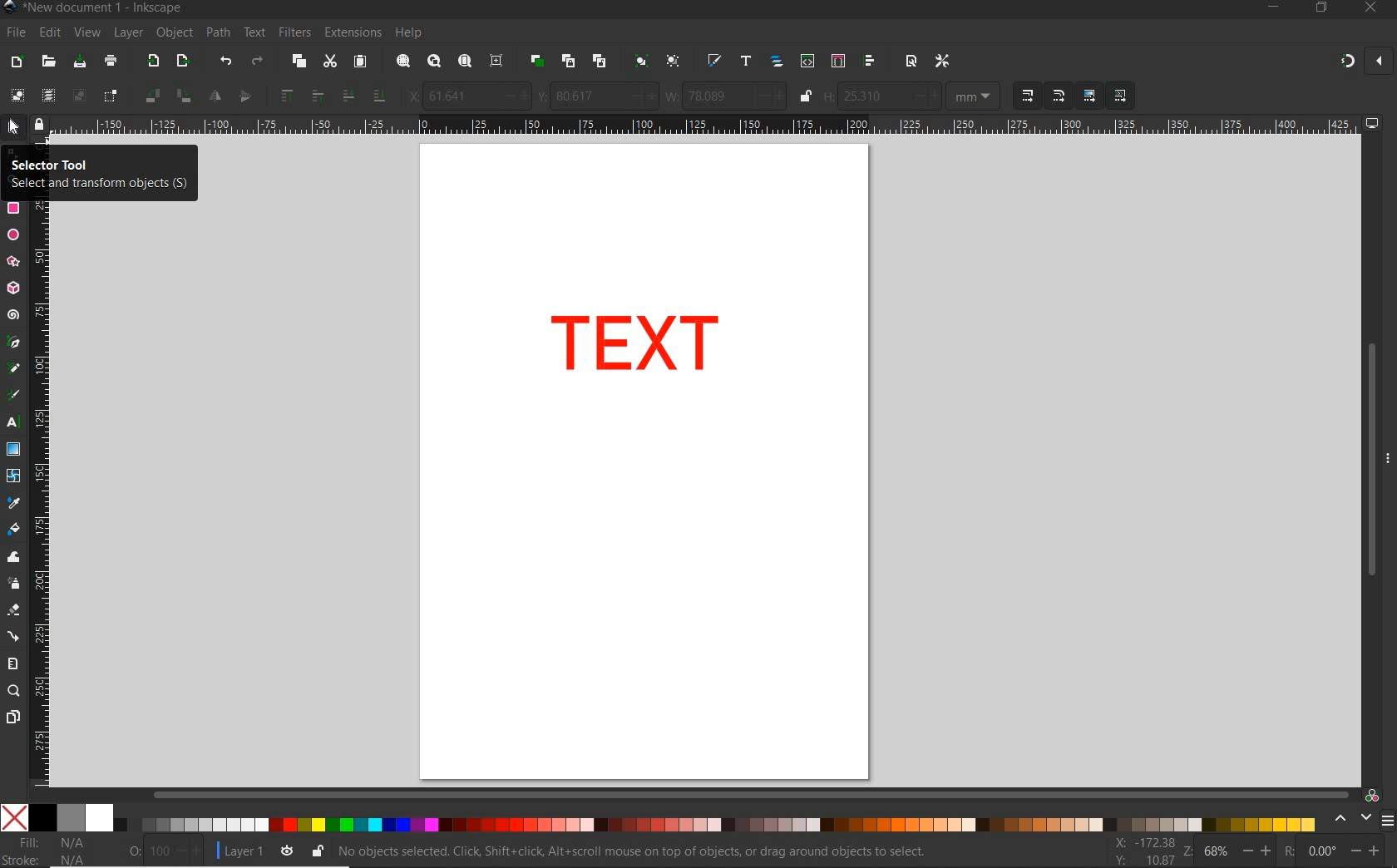 The image size is (1397, 868). What do you see at coordinates (1224, 851) in the screenshot?
I see `zoom` at bounding box center [1224, 851].